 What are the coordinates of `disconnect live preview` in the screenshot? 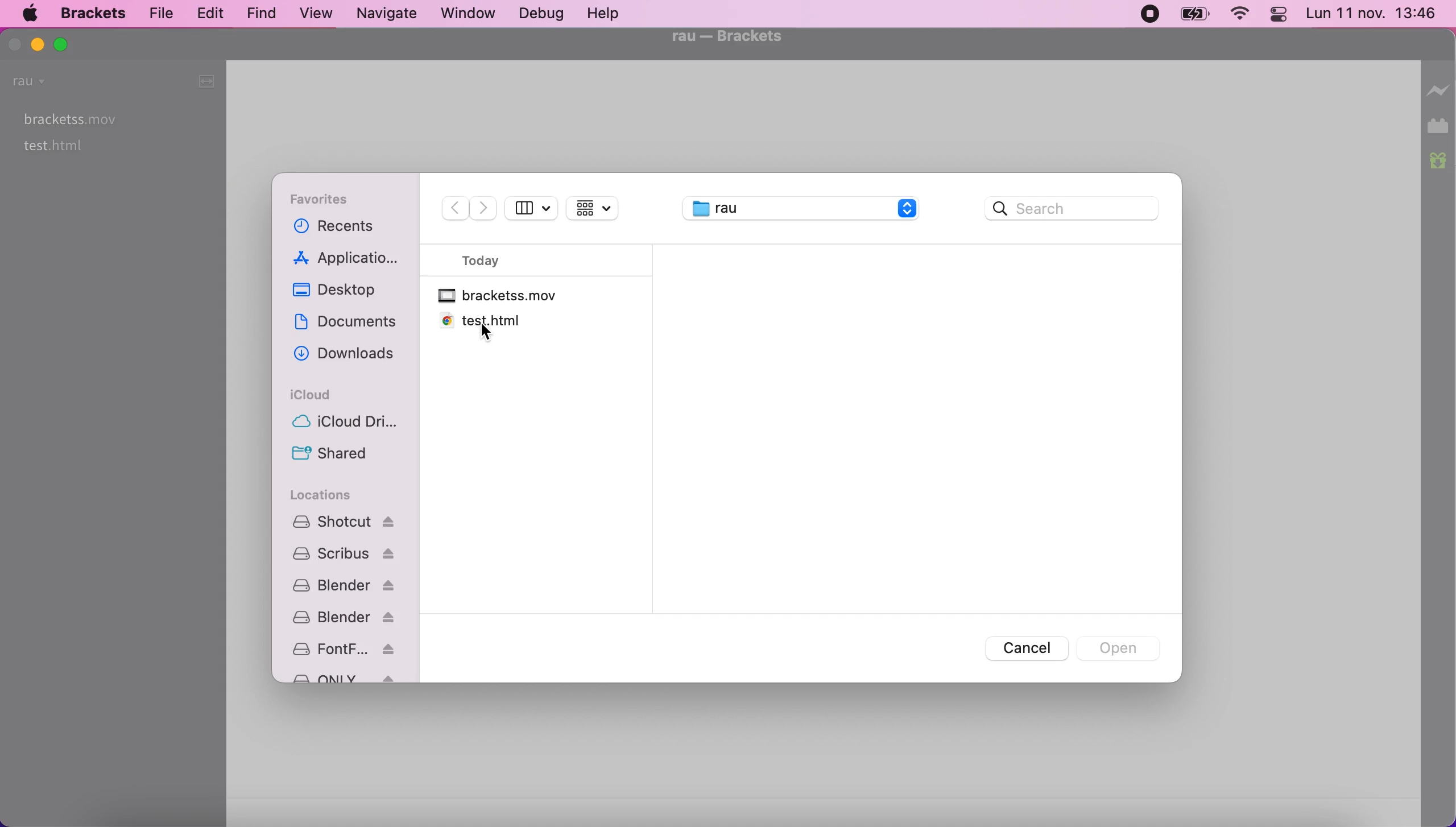 It's located at (1439, 90).